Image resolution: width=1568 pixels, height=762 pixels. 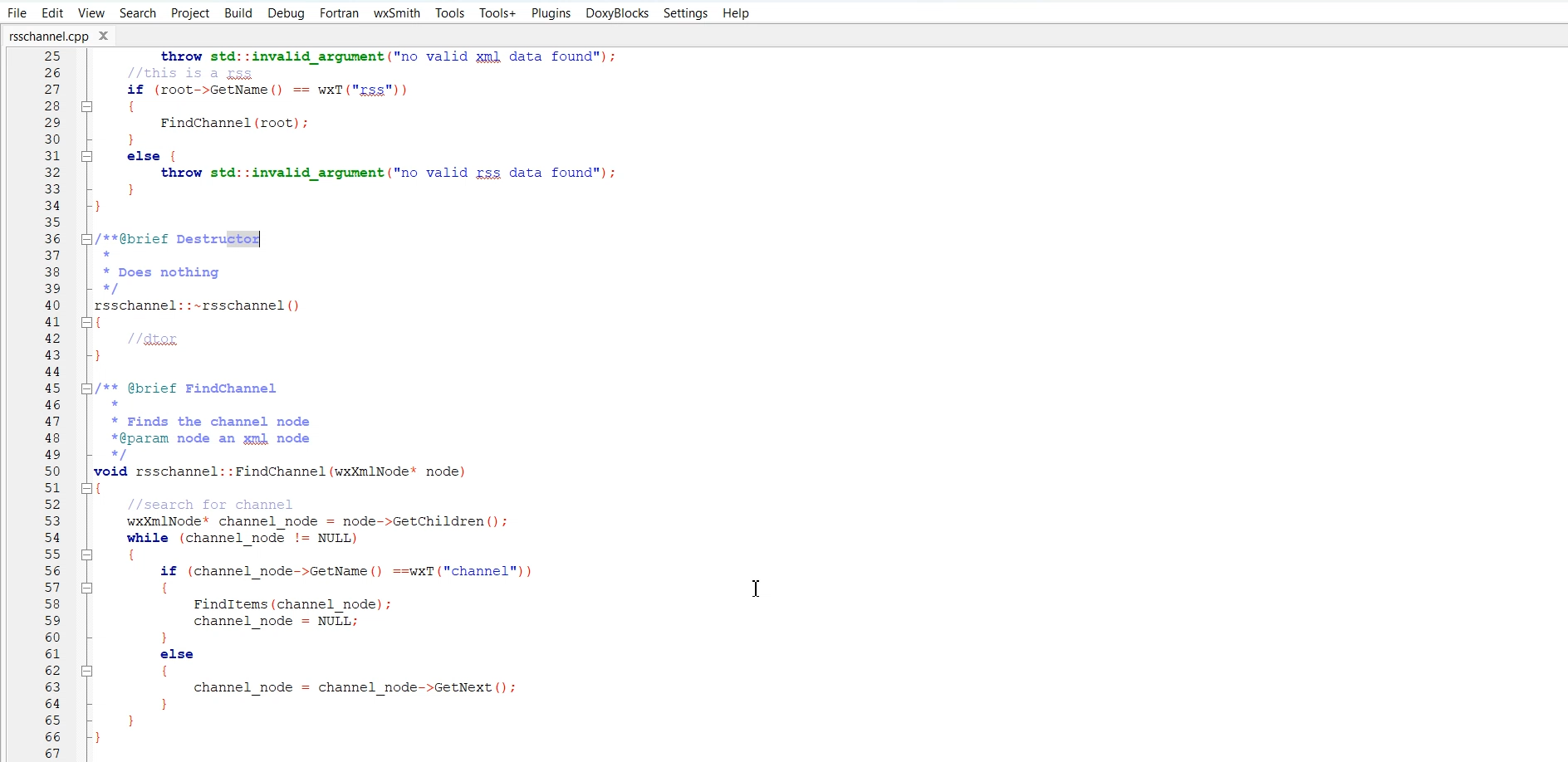 I want to click on Collapse, so click(x=88, y=672).